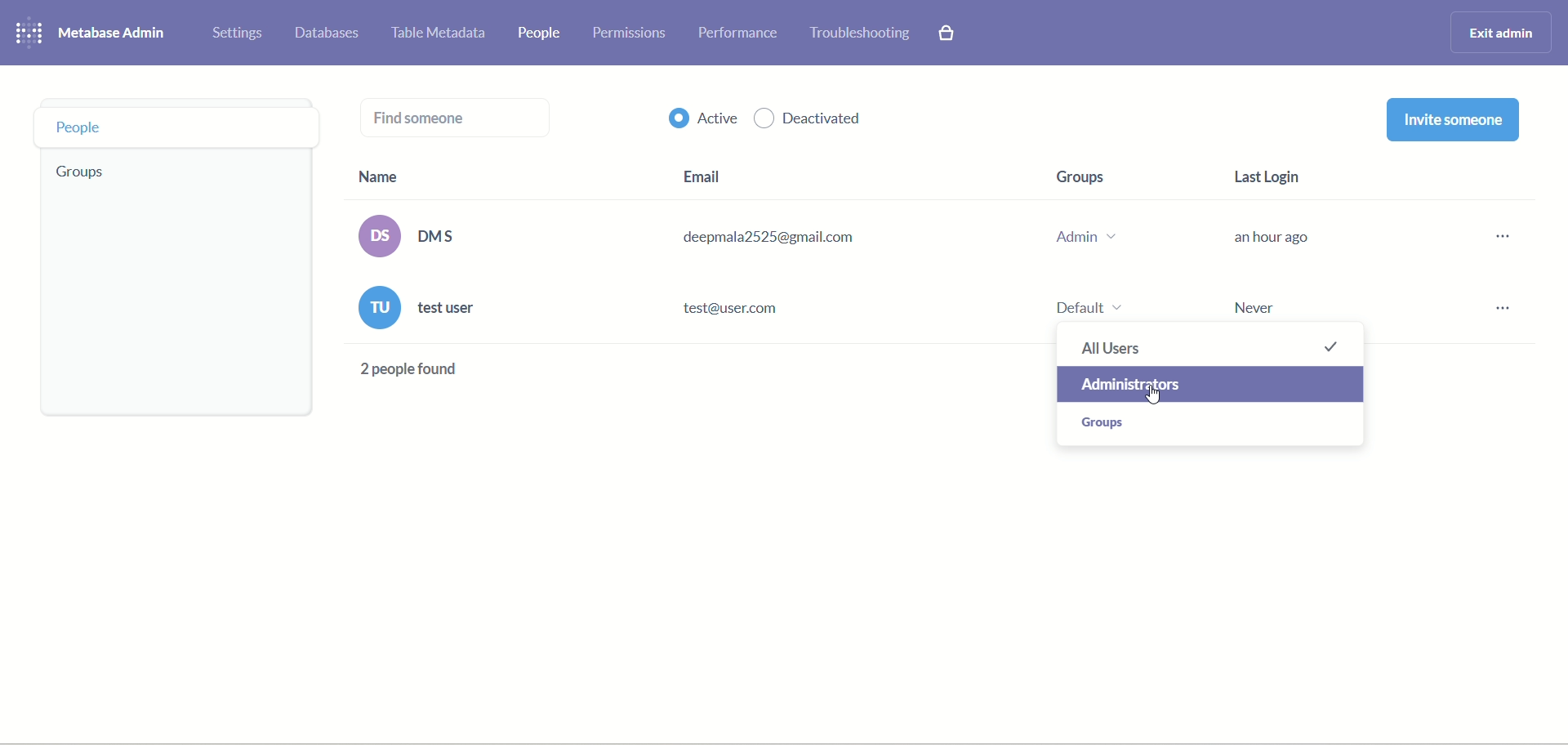 This screenshot has width=1568, height=745. What do you see at coordinates (327, 33) in the screenshot?
I see `databases` at bounding box center [327, 33].